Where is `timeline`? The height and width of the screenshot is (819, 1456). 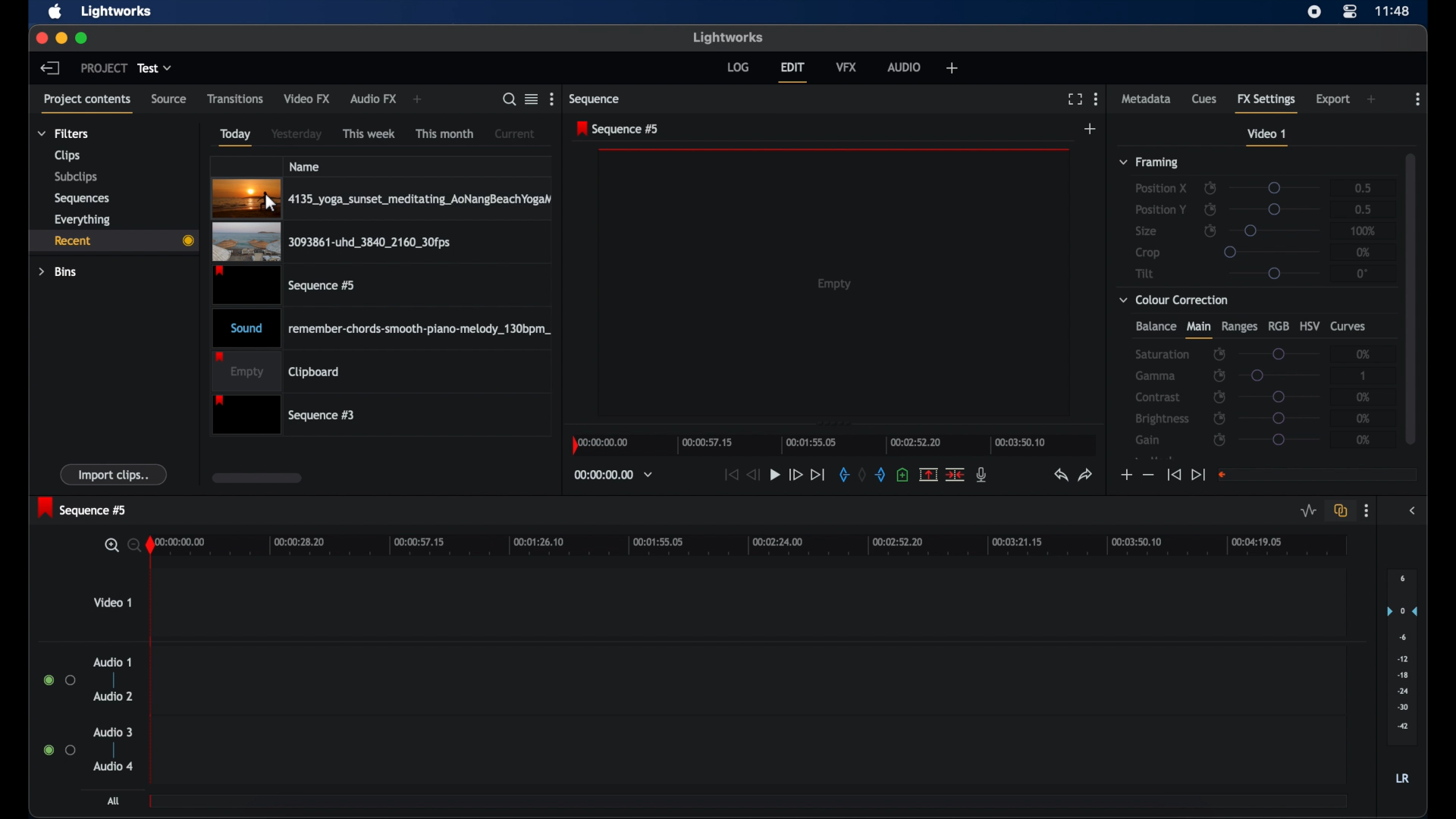
timeline is located at coordinates (830, 444).